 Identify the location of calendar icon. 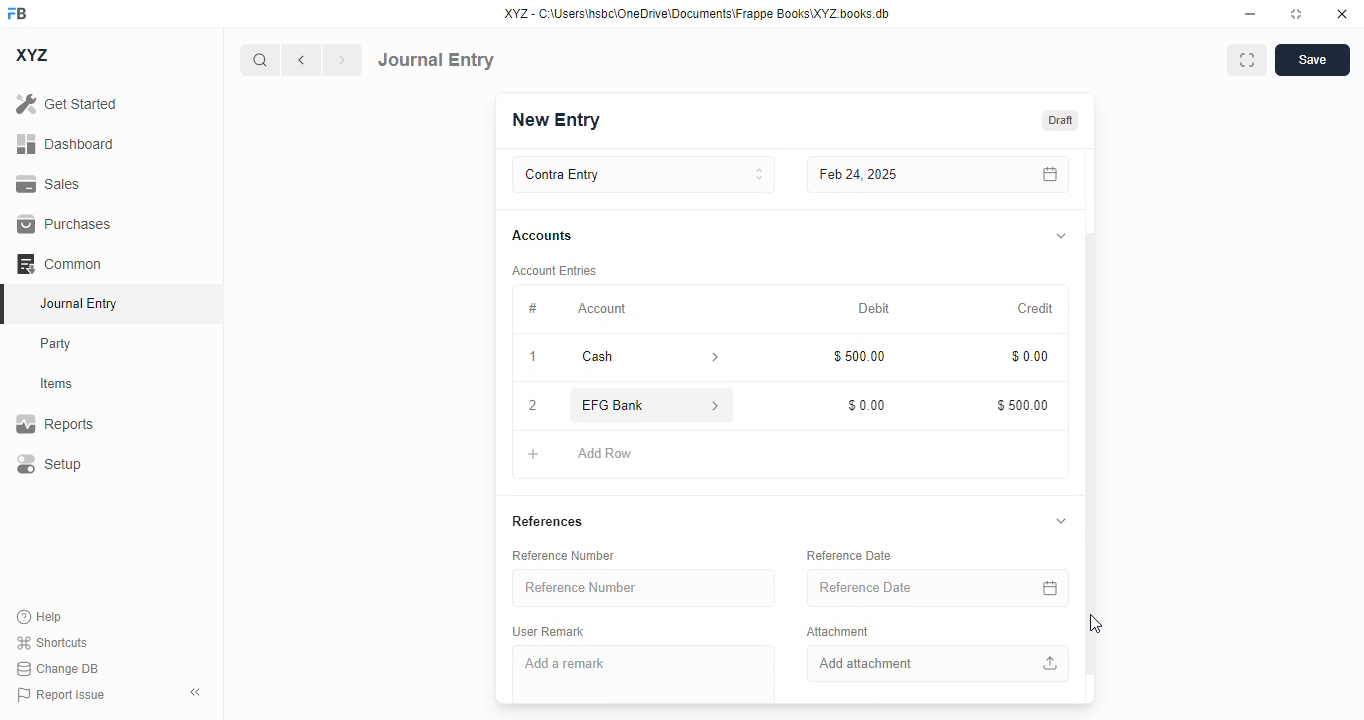
(1046, 175).